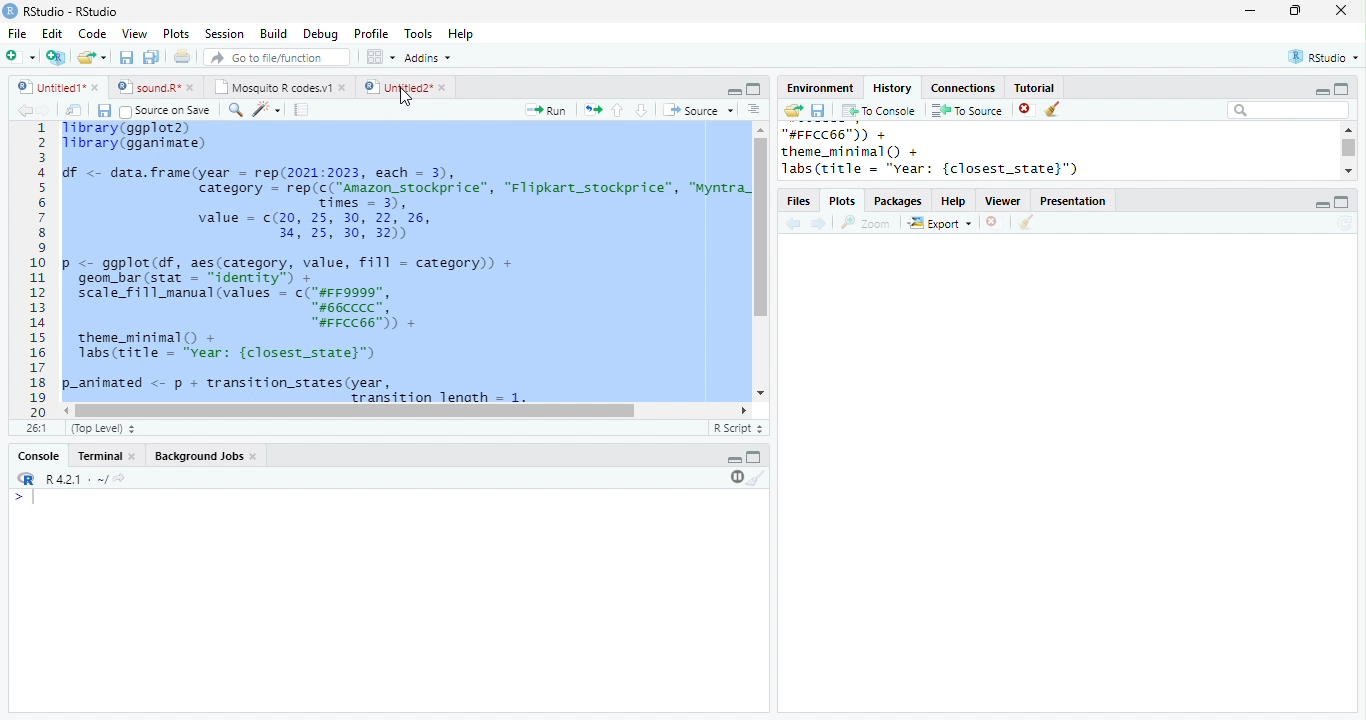  What do you see at coordinates (744, 410) in the screenshot?
I see `scroll left` at bounding box center [744, 410].